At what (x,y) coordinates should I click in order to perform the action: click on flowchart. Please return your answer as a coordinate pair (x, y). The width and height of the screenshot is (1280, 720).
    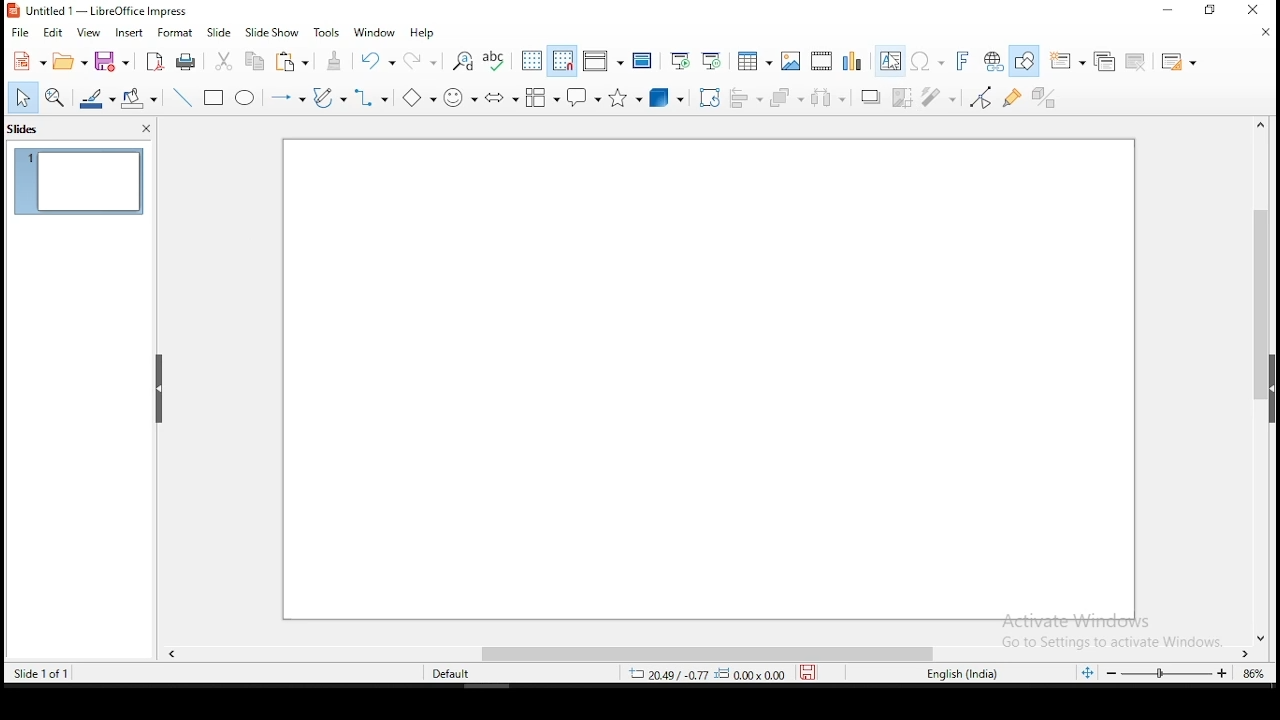
    Looking at the image, I should click on (542, 98).